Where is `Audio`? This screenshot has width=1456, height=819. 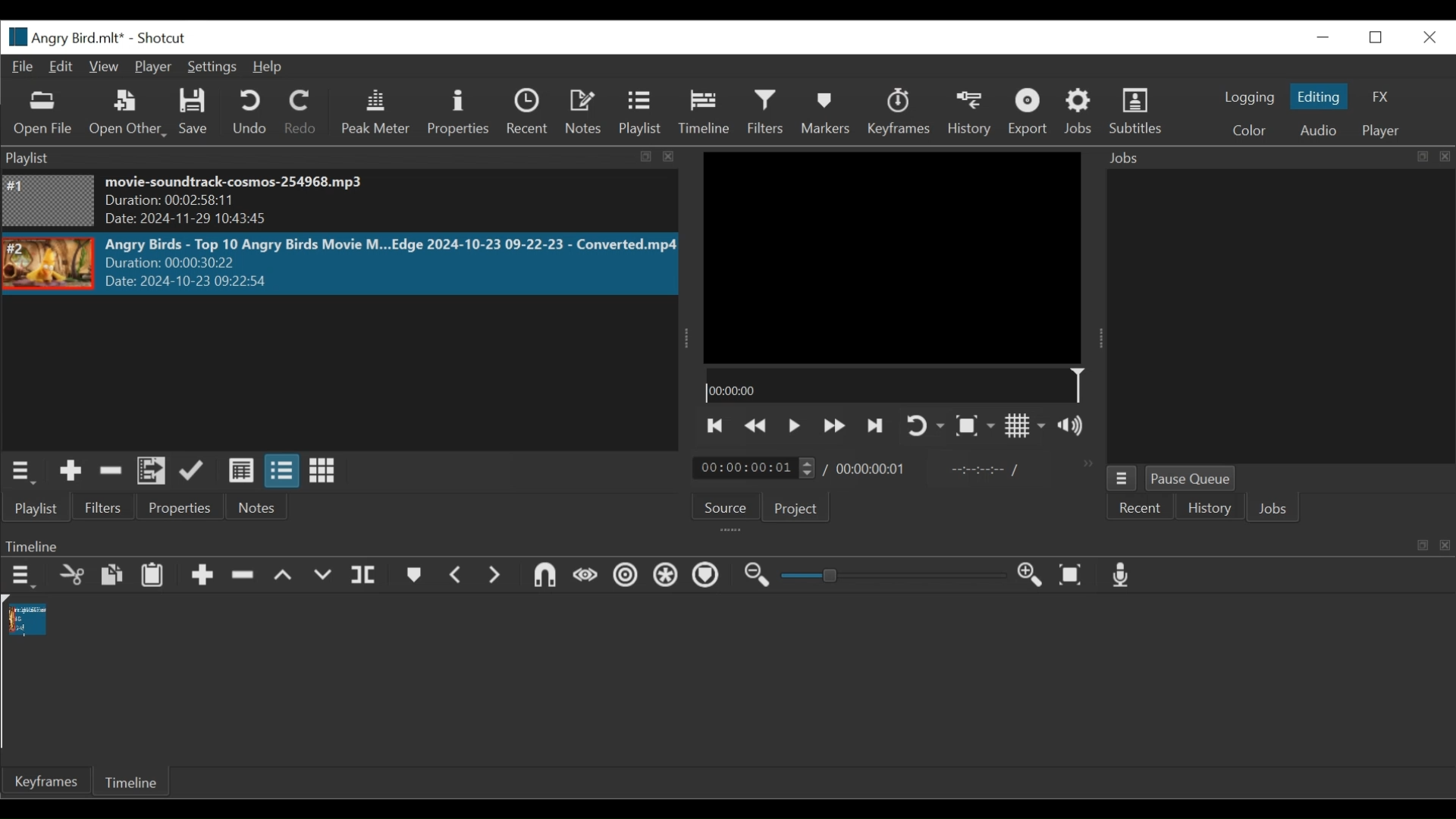
Audio is located at coordinates (1319, 130).